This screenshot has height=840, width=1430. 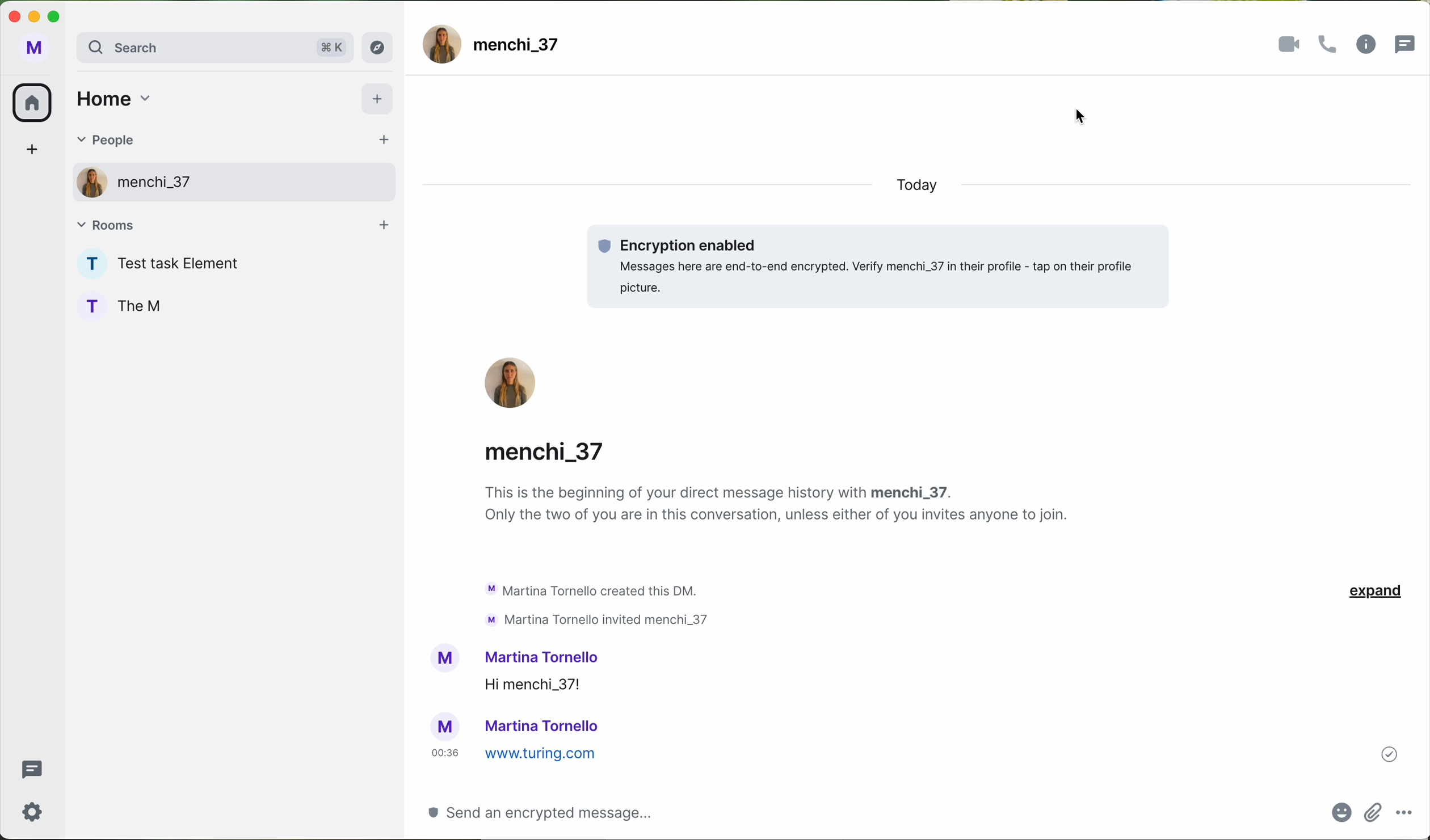 What do you see at coordinates (520, 47) in the screenshot?
I see `user name` at bounding box center [520, 47].